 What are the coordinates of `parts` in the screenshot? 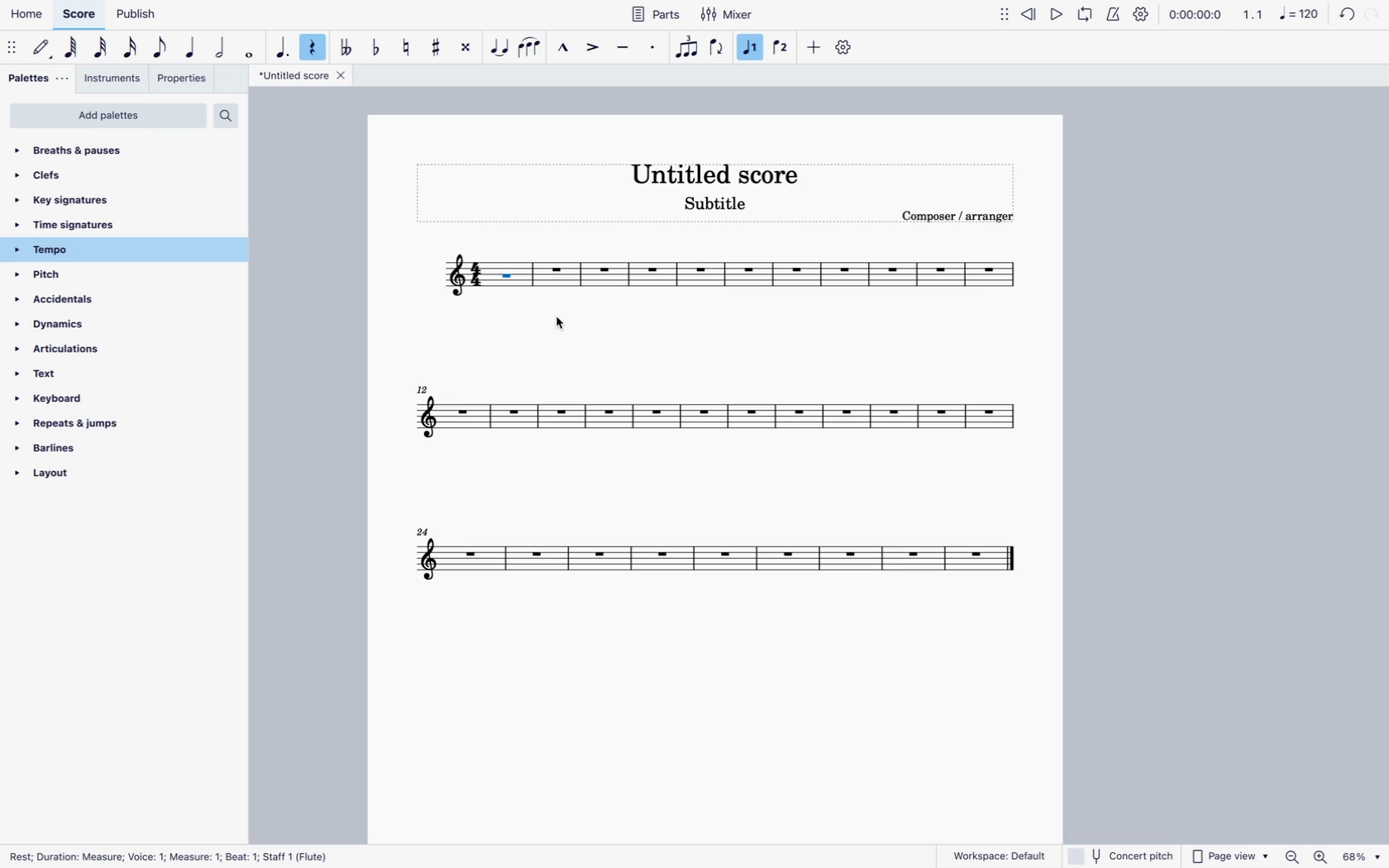 It's located at (648, 17).